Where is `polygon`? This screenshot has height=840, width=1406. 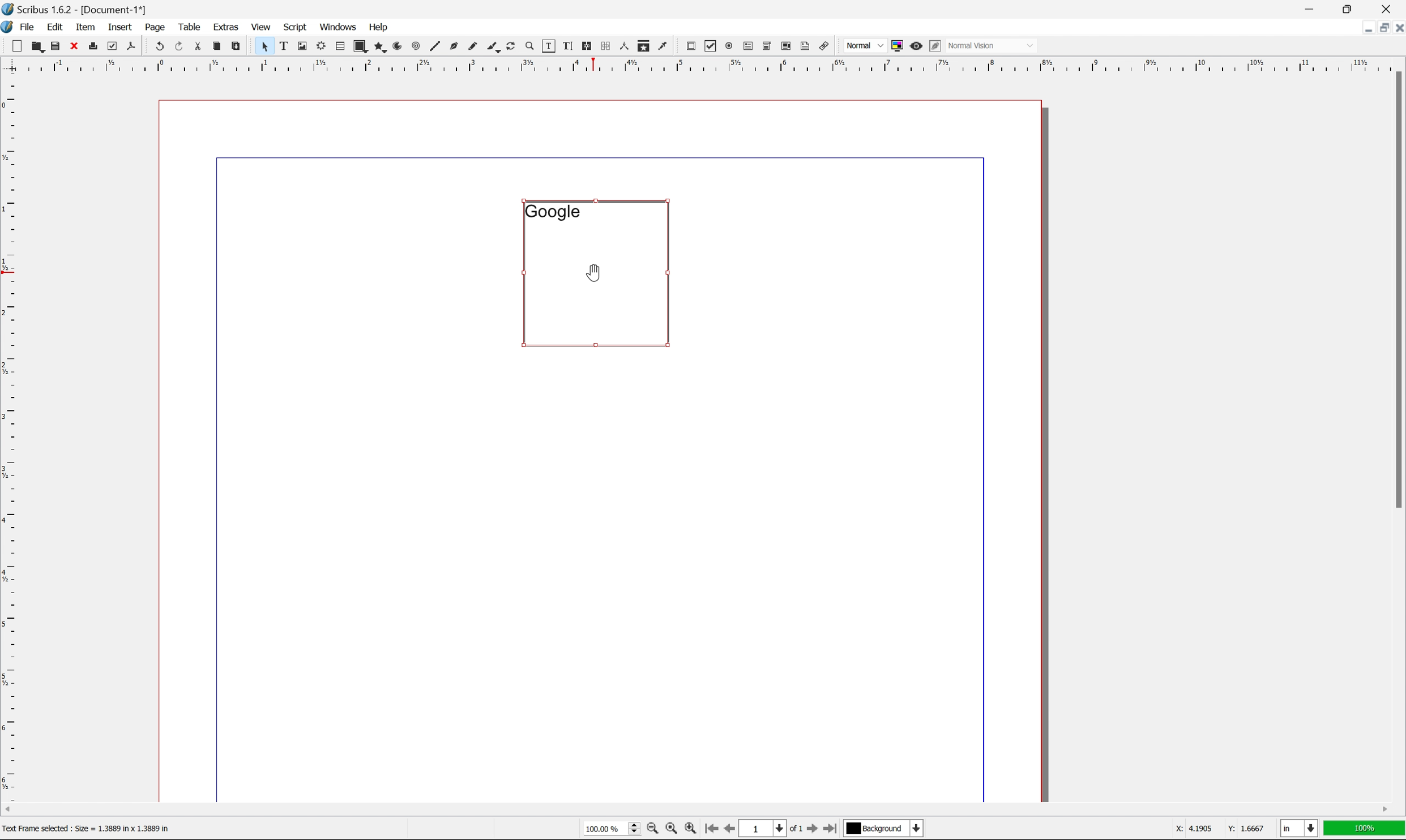 polygon is located at coordinates (381, 48).